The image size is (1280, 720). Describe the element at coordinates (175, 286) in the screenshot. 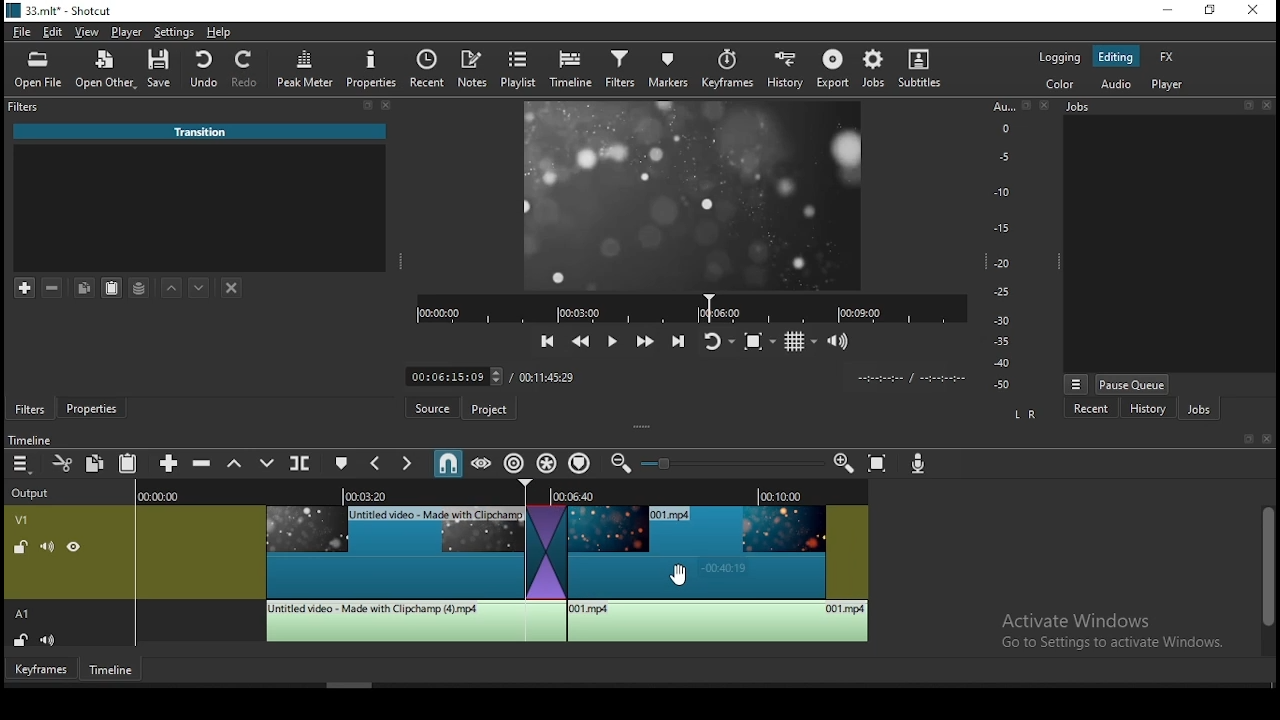

I see `move filter up` at that location.